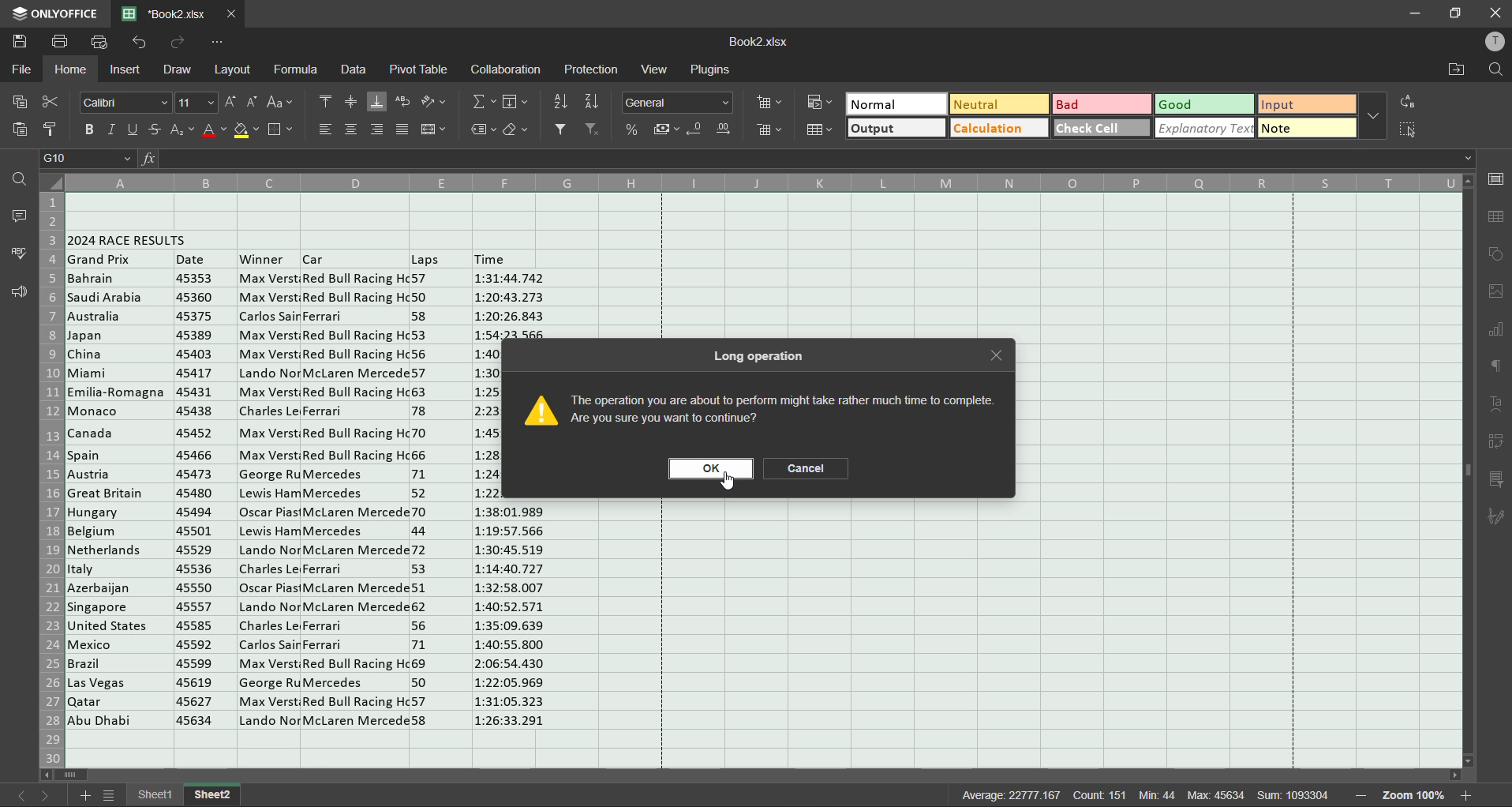  Describe the element at coordinates (402, 128) in the screenshot. I see `justified` at that location.